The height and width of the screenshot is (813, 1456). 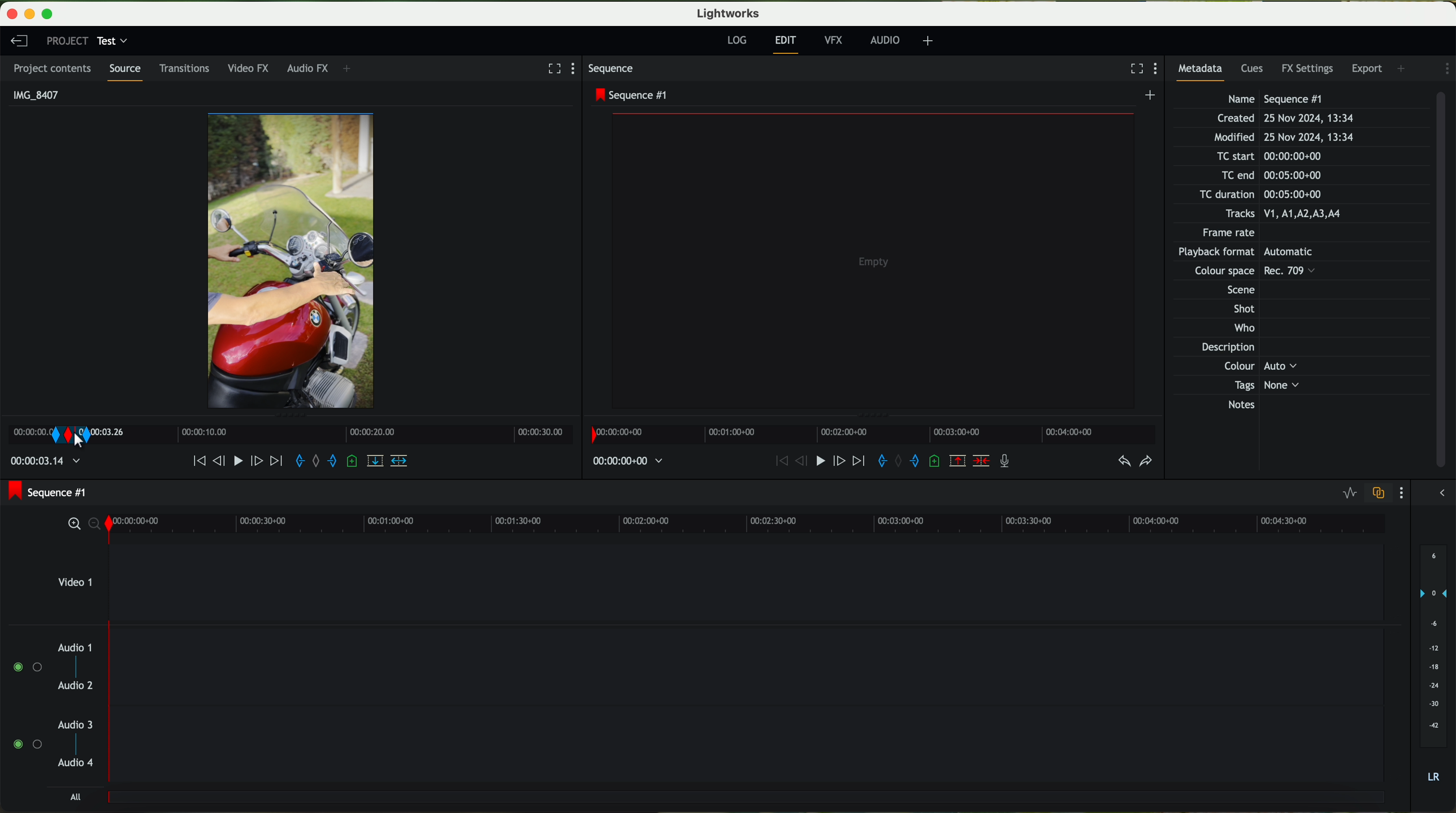 I want to click on add an out mark, so click(x=909, y=461).